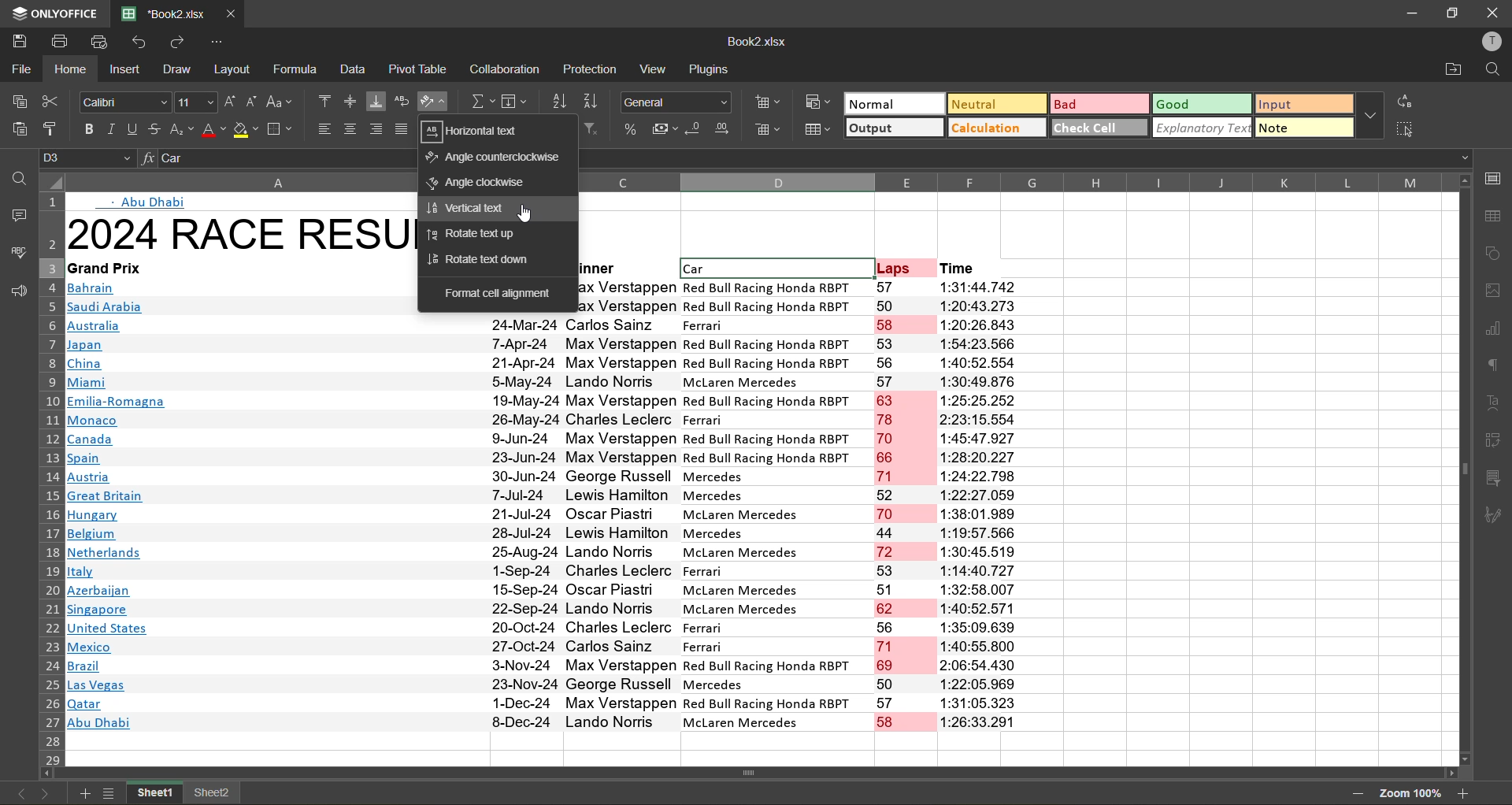 This screenshot has height=805, width=1512. Describe the element at coordinates (759, 40) in the screenshot. I see `file name` at that location.